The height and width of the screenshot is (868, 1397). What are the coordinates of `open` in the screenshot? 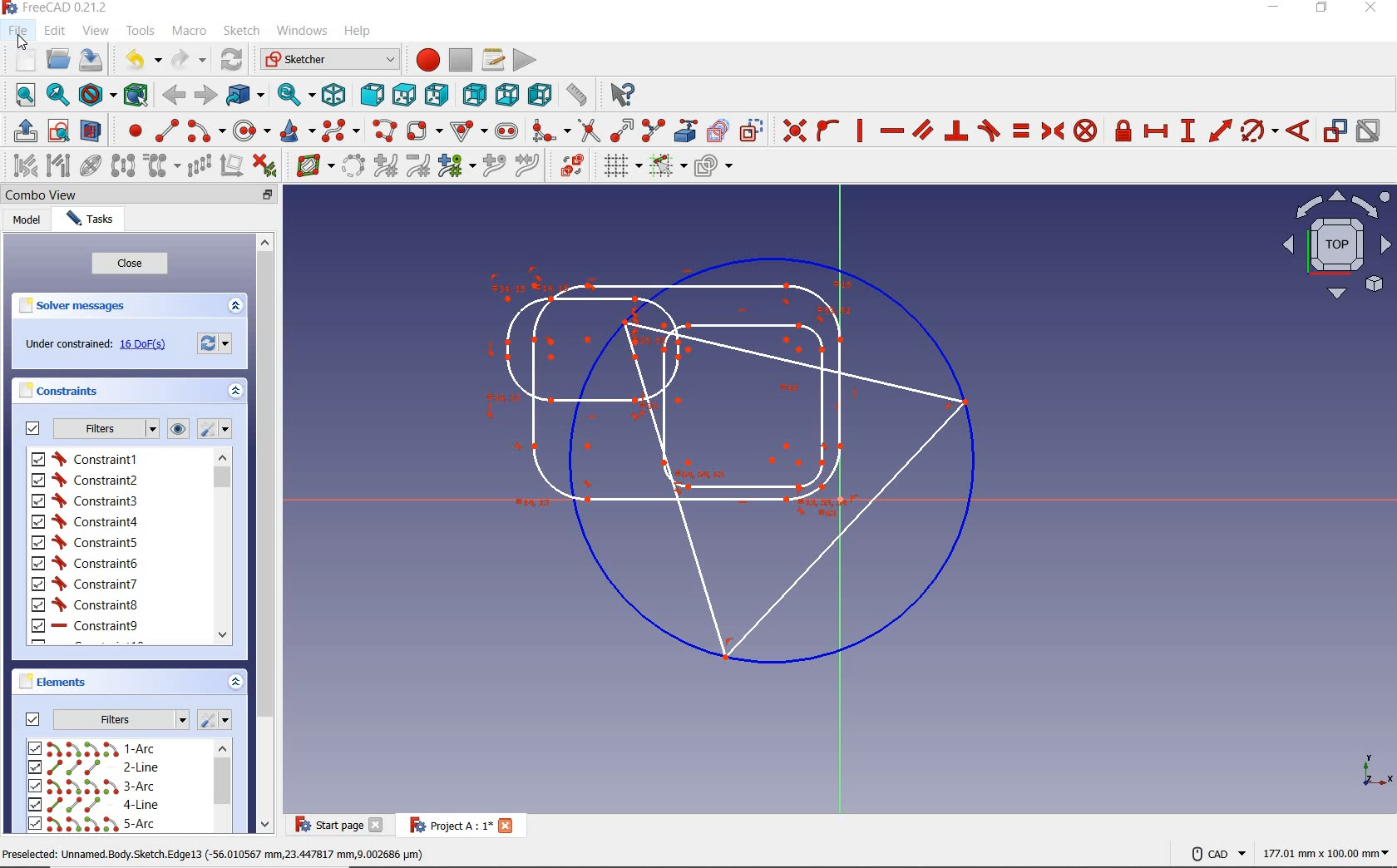 It's located at (56, 60).